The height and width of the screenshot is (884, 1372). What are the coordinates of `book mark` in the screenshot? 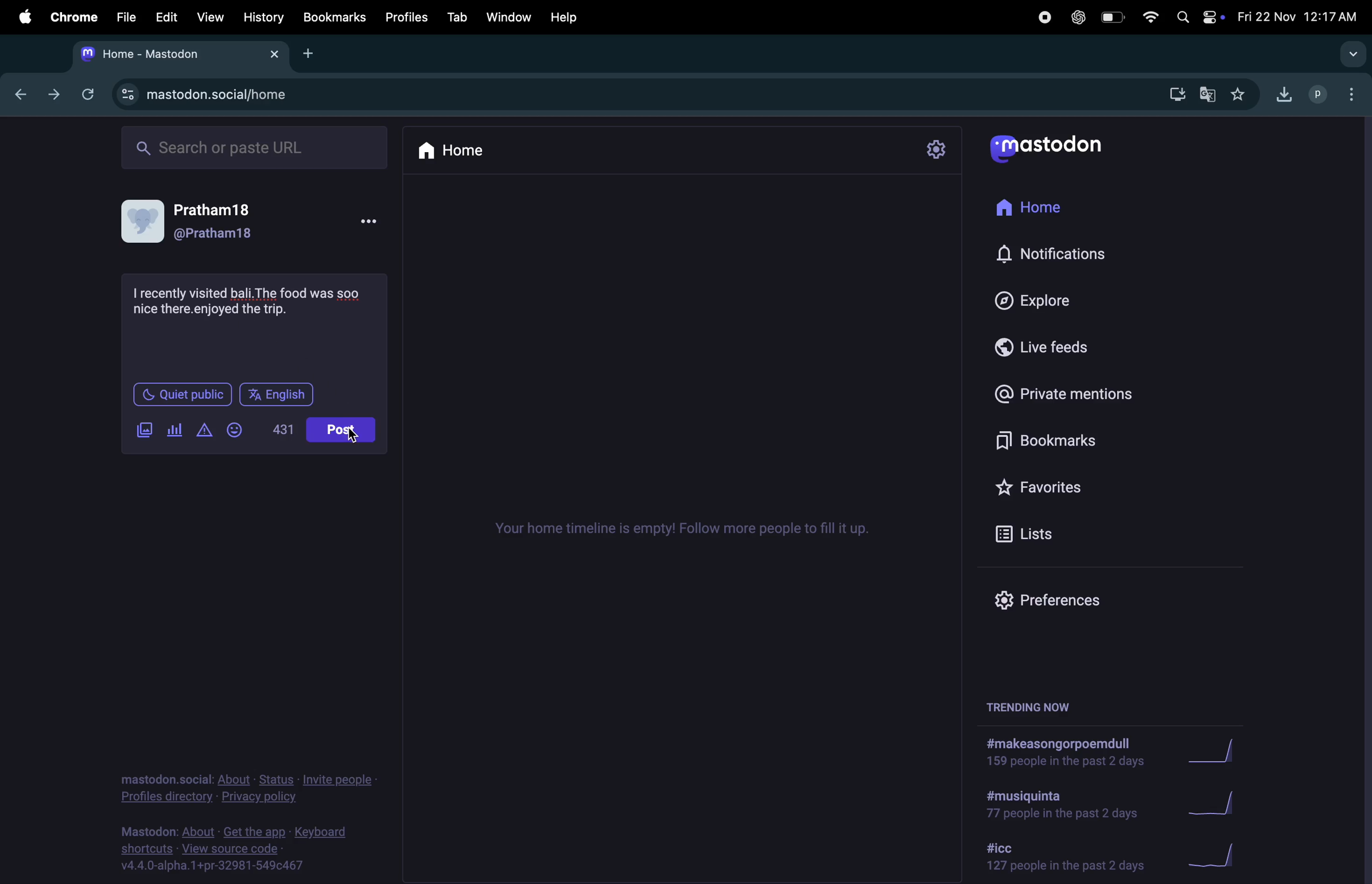 It's located at (1056, 441).